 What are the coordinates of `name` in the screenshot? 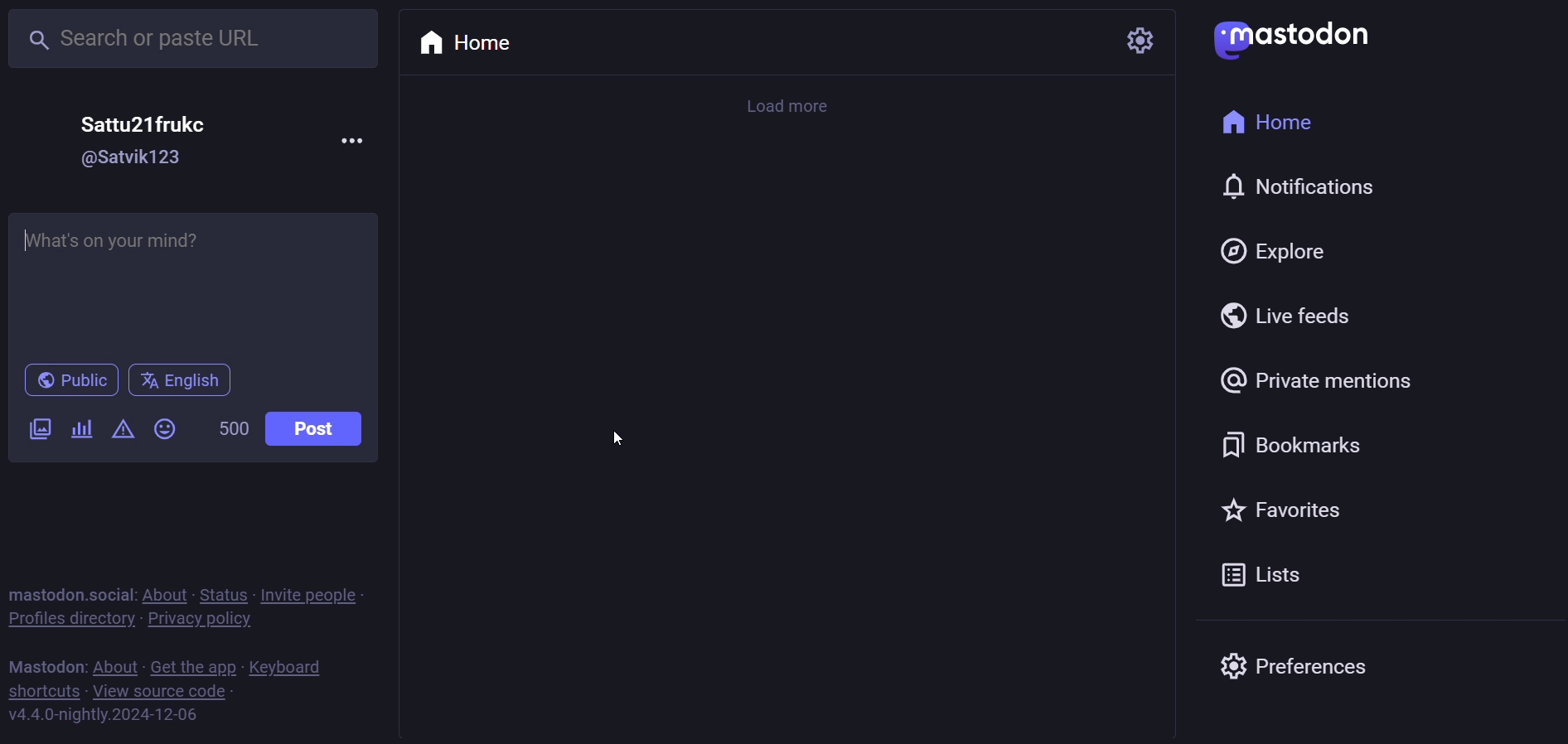 It's located at (144, 123).